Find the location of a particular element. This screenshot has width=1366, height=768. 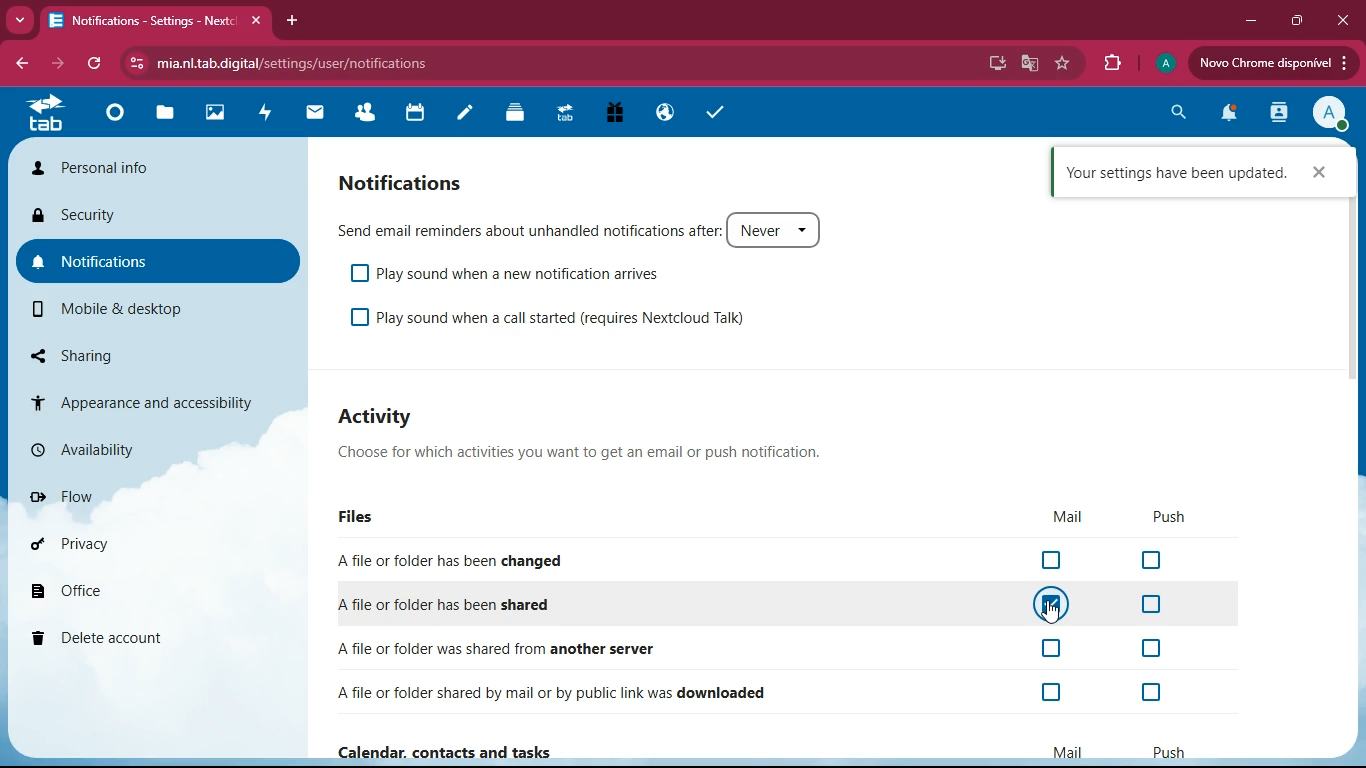

files is located at coordinates (165, 114).